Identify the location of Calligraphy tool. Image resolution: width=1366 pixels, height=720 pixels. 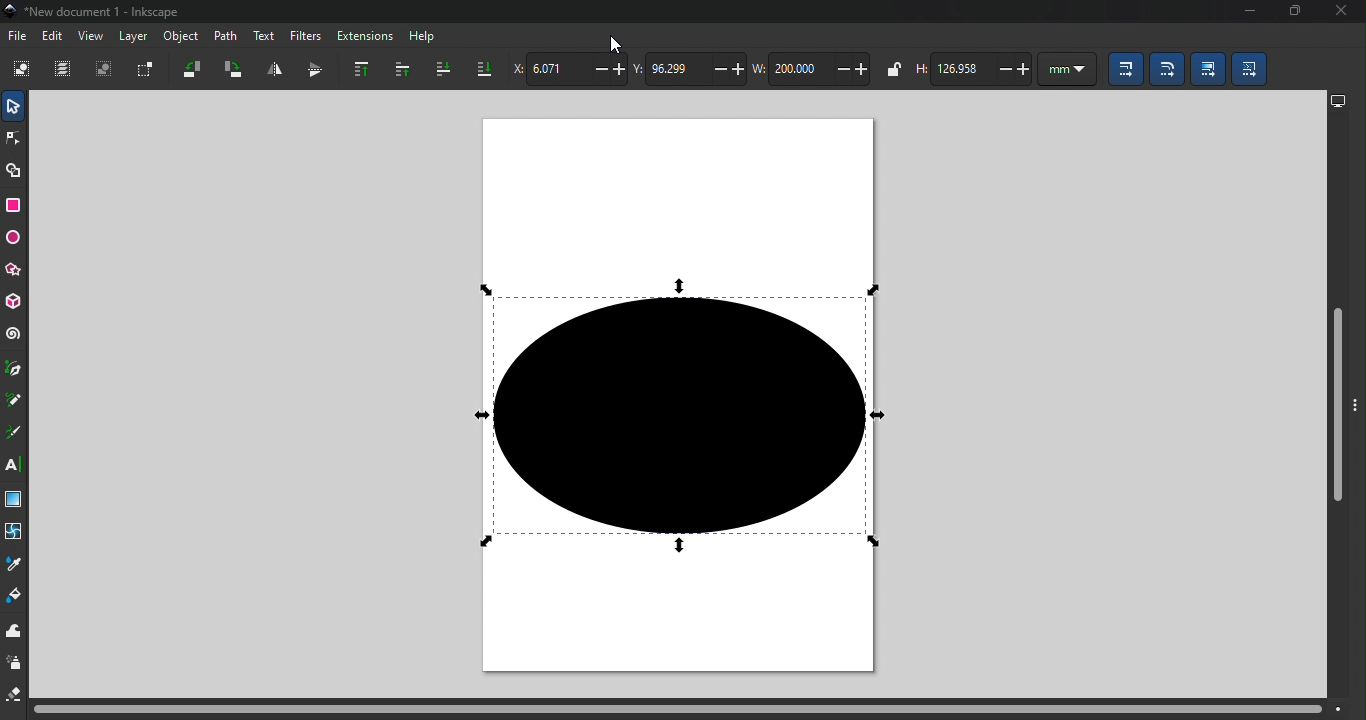
(13, 432).